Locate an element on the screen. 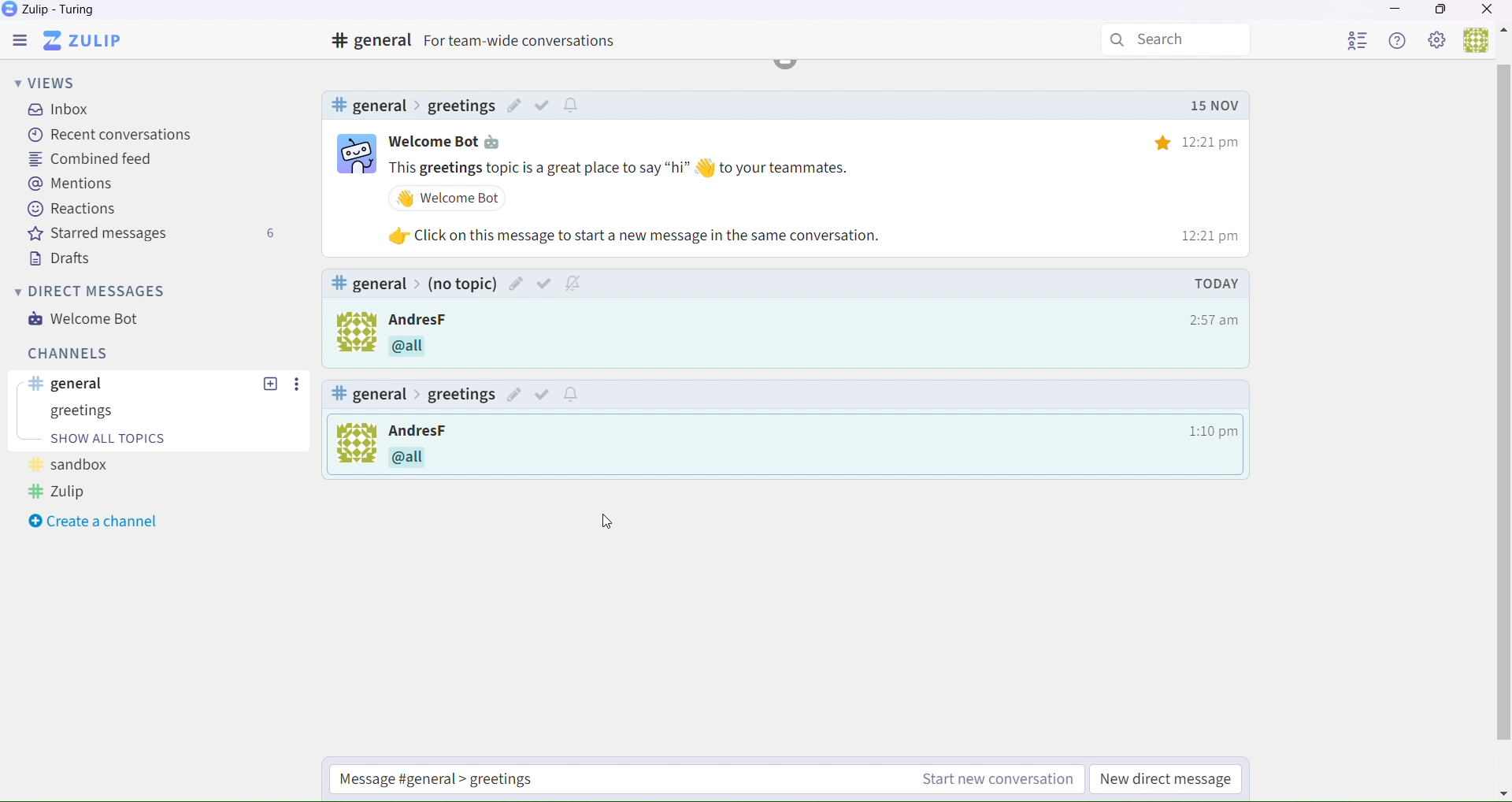  Users is located at coordinates (1476, 41).